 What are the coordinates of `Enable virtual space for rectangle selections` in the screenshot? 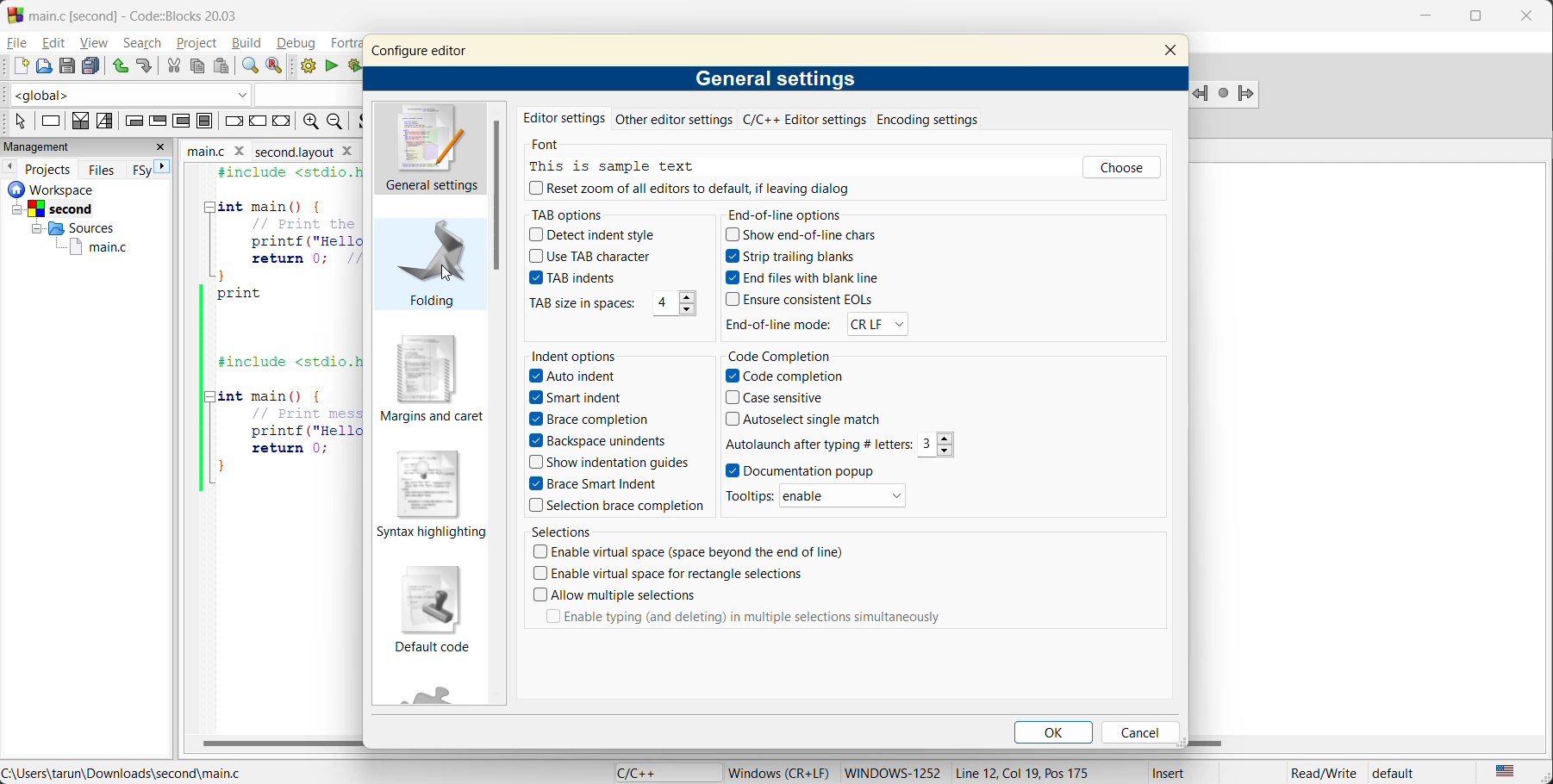 It's located at (671, 574).